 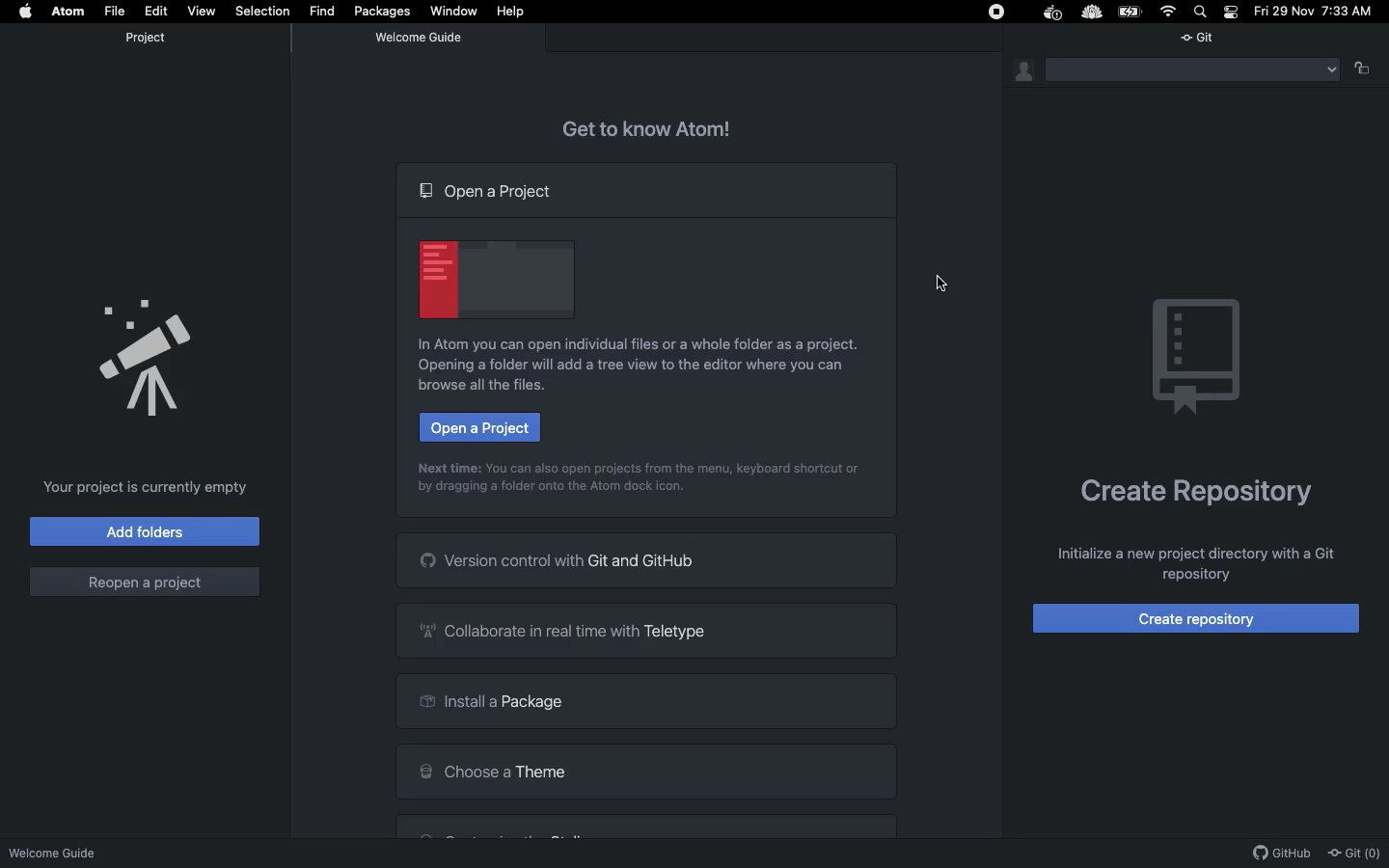 What do you see at coordinates (1172, 12) in the screenshot?
I see `Internet` at bounding box center [1172, 12].